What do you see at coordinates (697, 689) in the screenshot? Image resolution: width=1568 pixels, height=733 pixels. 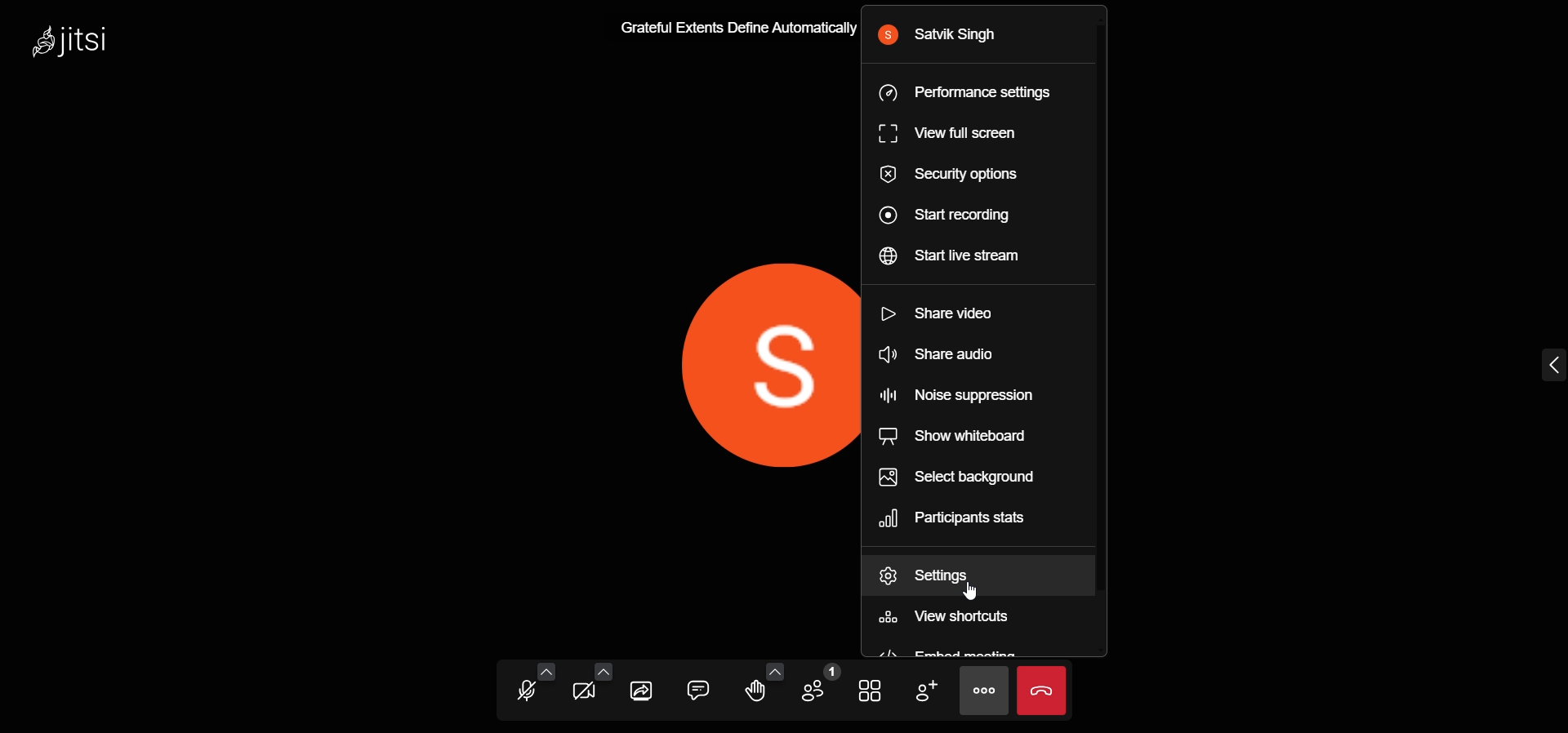 I see `chat` at bounding box center [697, 689].